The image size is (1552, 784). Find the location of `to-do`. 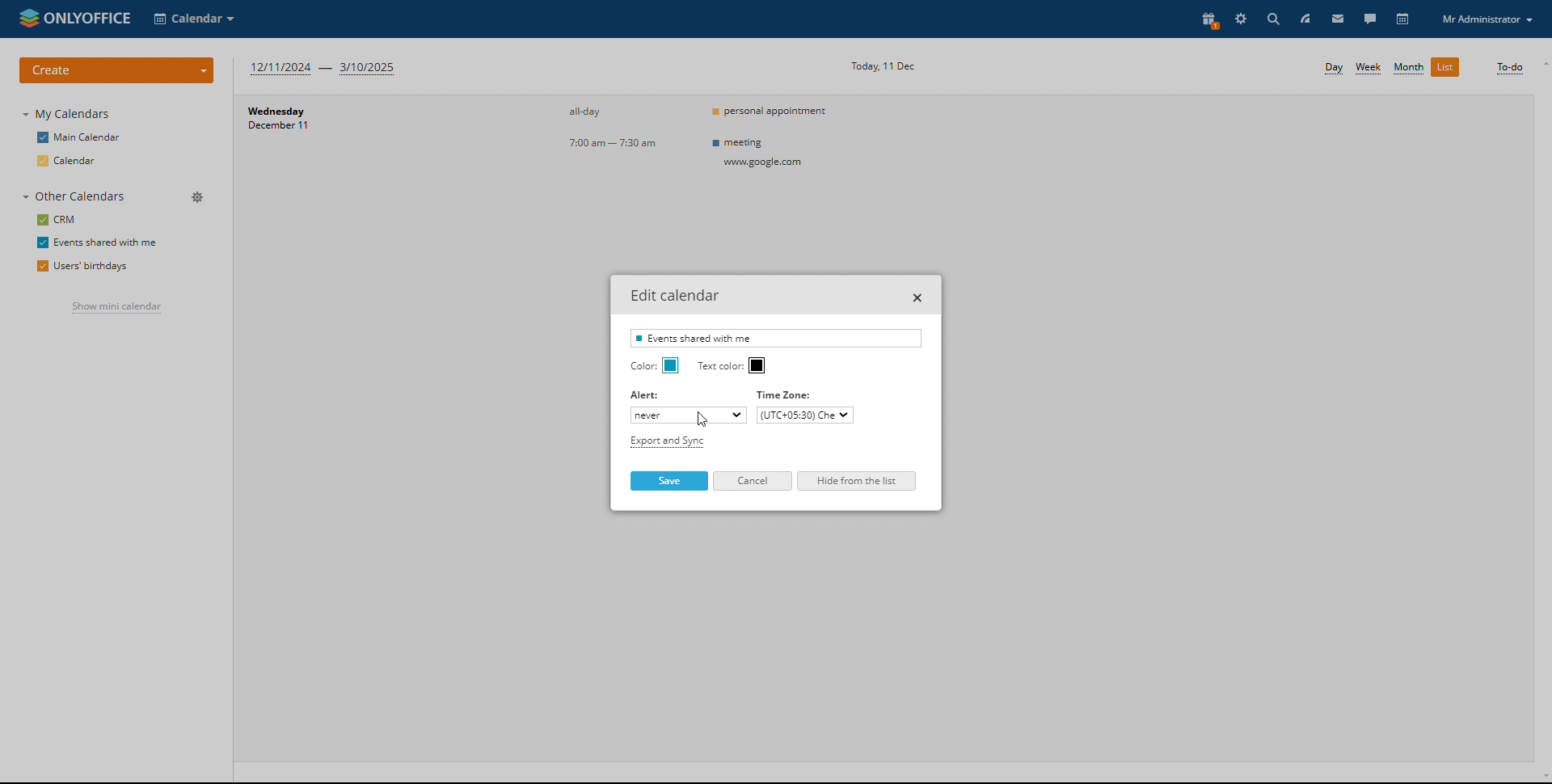

to-do is located at coordinates (1508, 68).